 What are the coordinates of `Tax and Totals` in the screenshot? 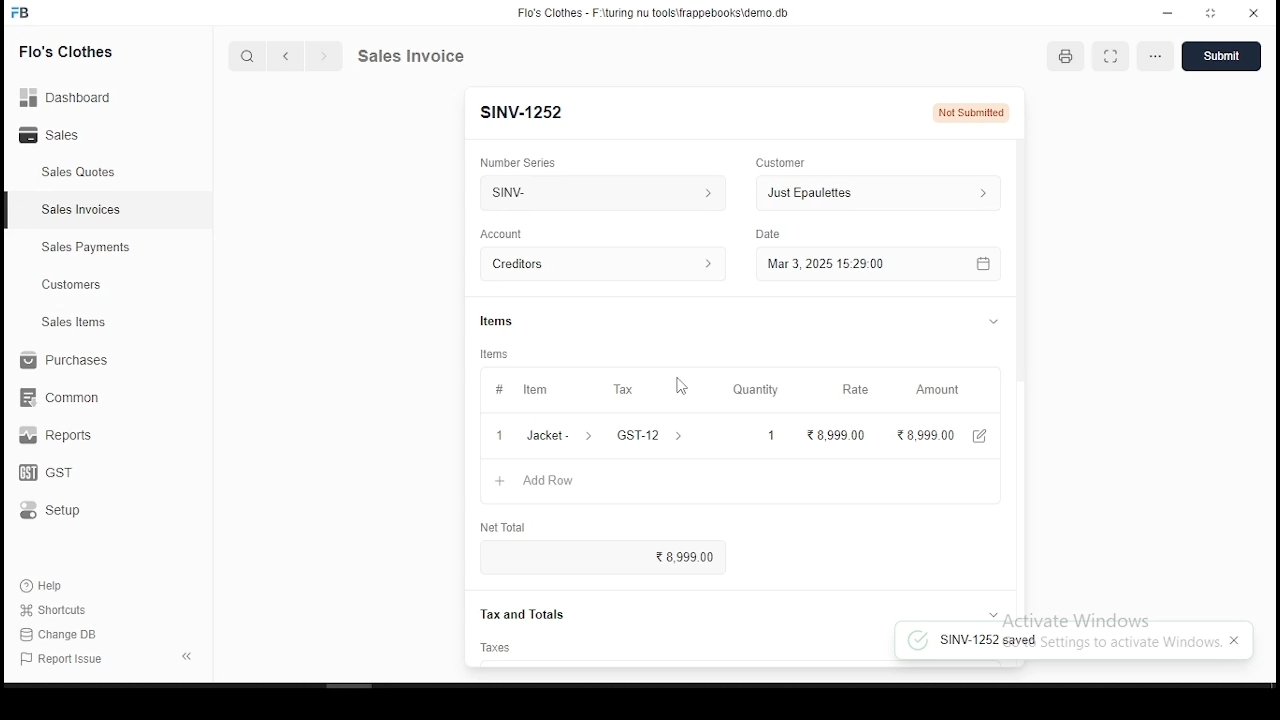 It's located at (514, 615).